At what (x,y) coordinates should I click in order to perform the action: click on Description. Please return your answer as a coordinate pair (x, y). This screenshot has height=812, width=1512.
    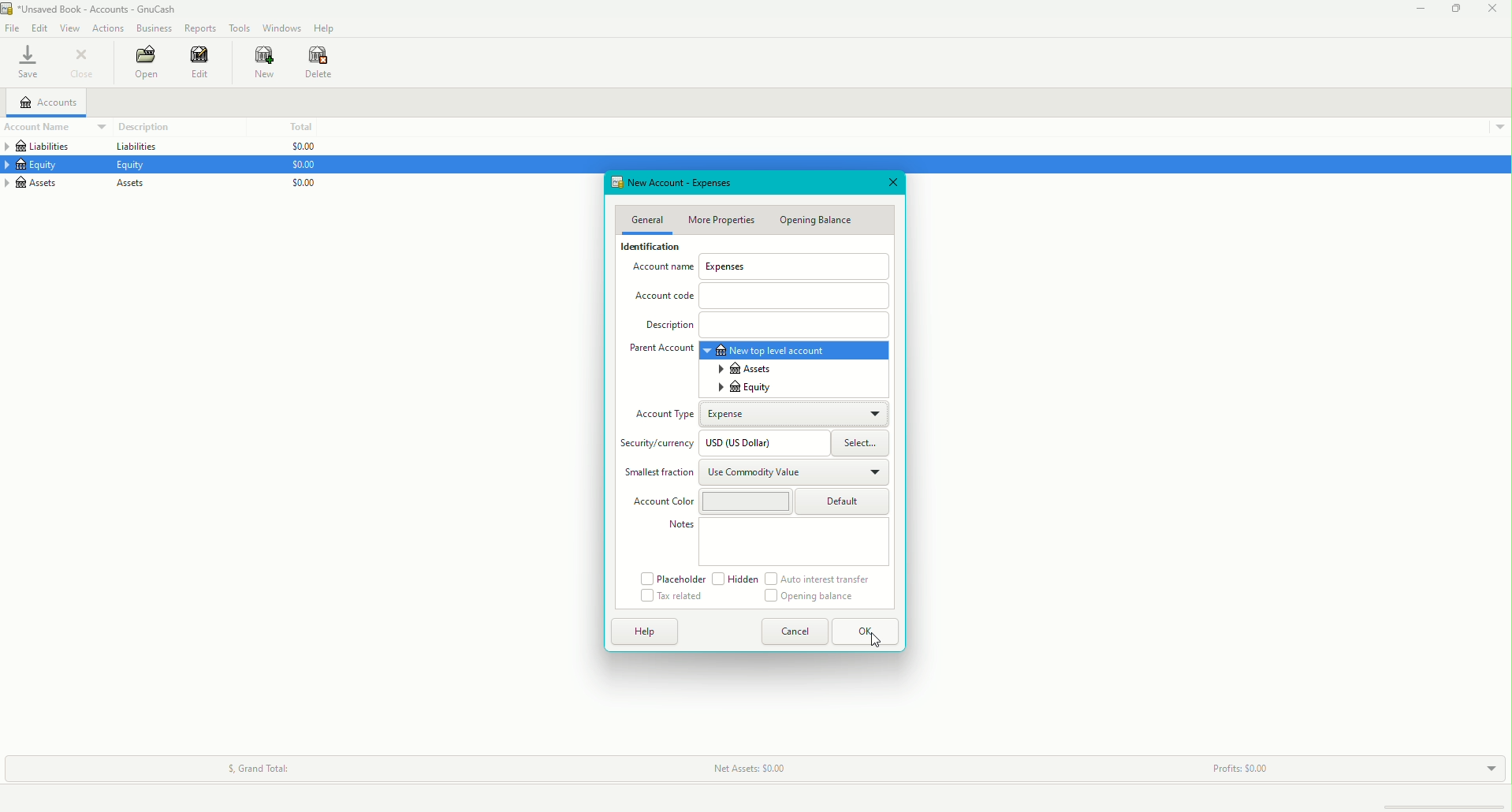
    Looking at the image, I should click on (665, 324).